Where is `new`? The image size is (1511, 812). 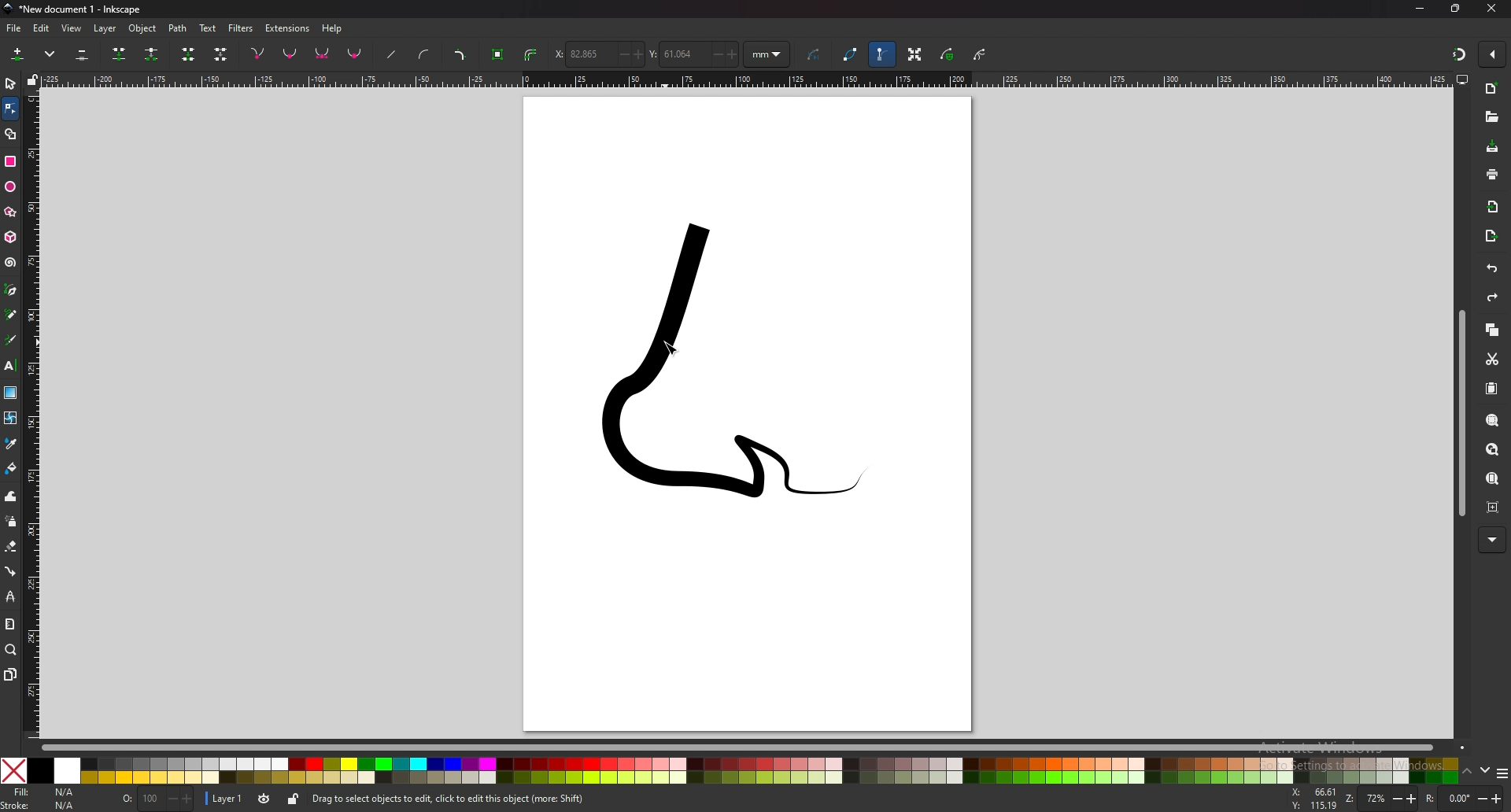 new is located at coordinates (1491, 89).